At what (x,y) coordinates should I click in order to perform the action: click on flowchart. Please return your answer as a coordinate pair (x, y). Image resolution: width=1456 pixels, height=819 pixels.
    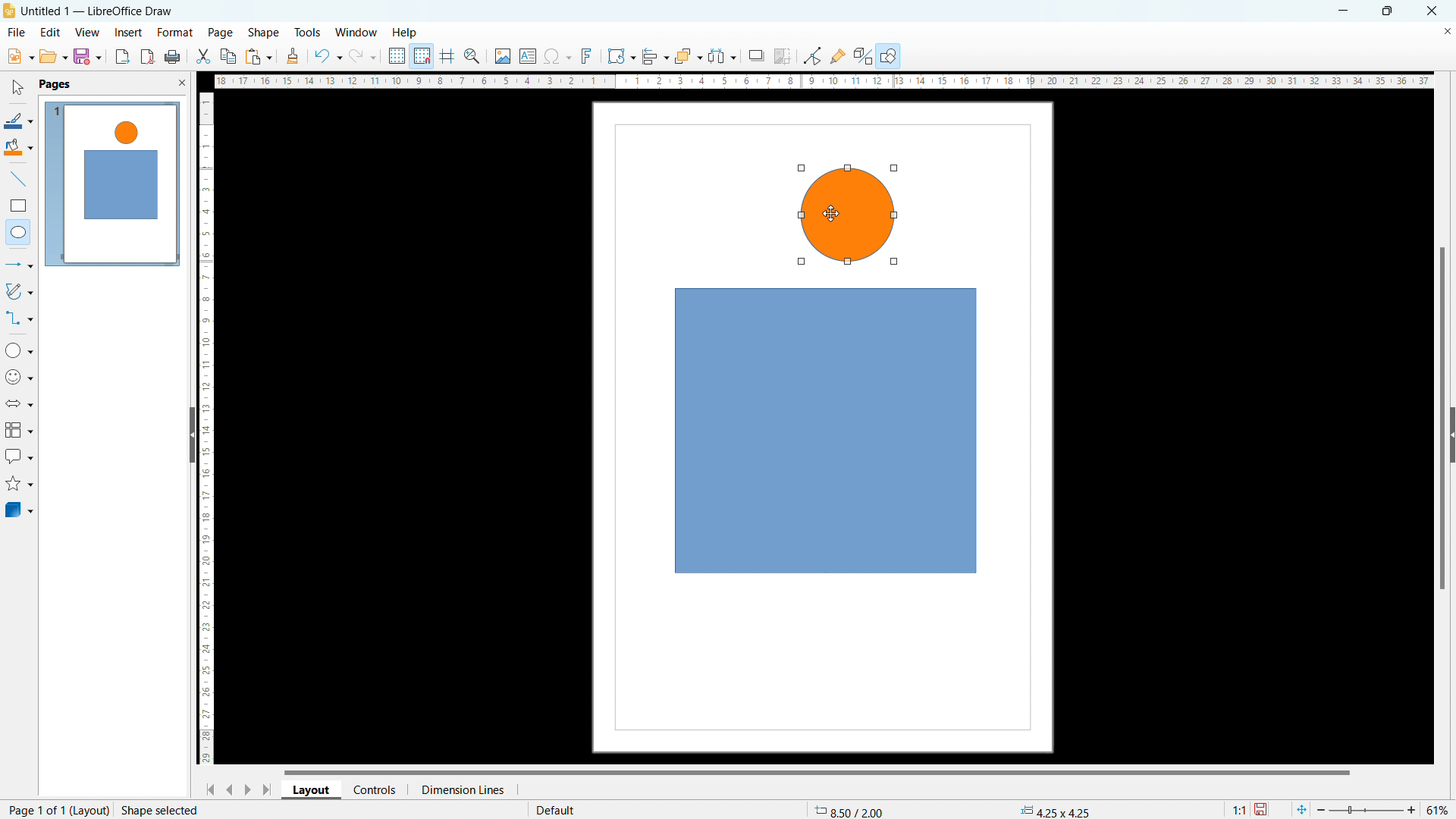
    Looking at the image, I should click on (20, 430).